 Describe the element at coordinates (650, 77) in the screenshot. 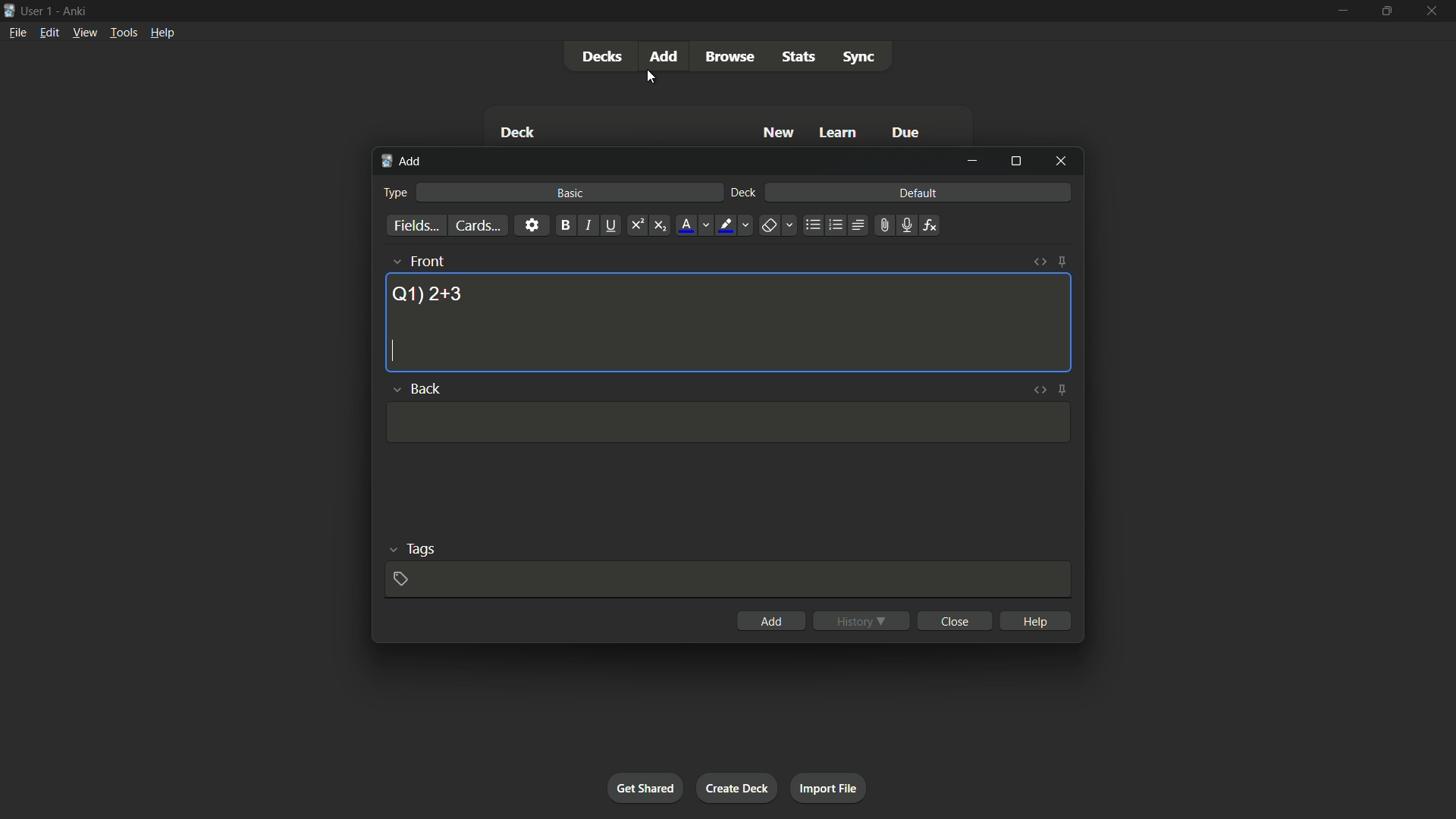

I see `cursor` at that location.